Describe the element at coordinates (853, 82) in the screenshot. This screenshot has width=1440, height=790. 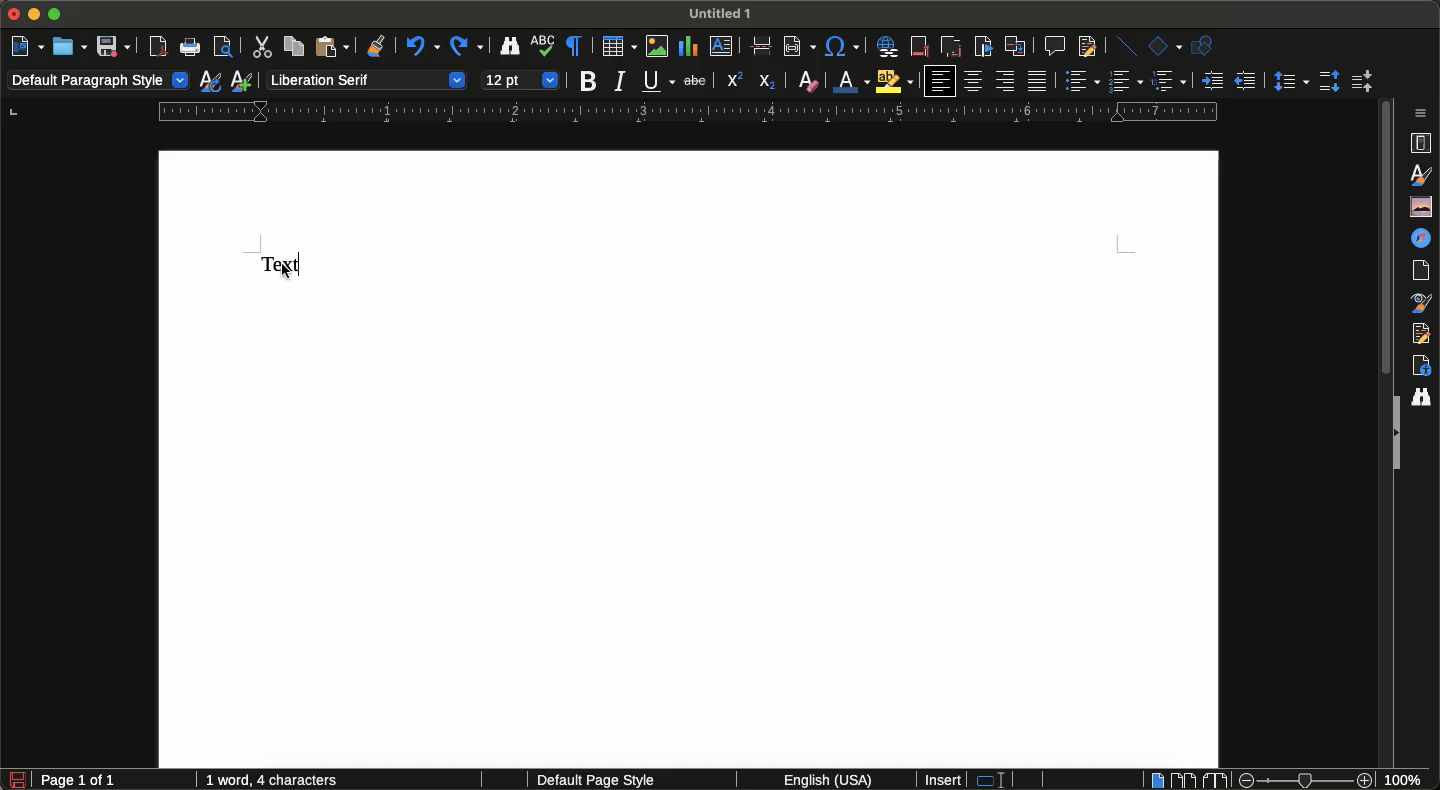
I see `Font color` at that location.